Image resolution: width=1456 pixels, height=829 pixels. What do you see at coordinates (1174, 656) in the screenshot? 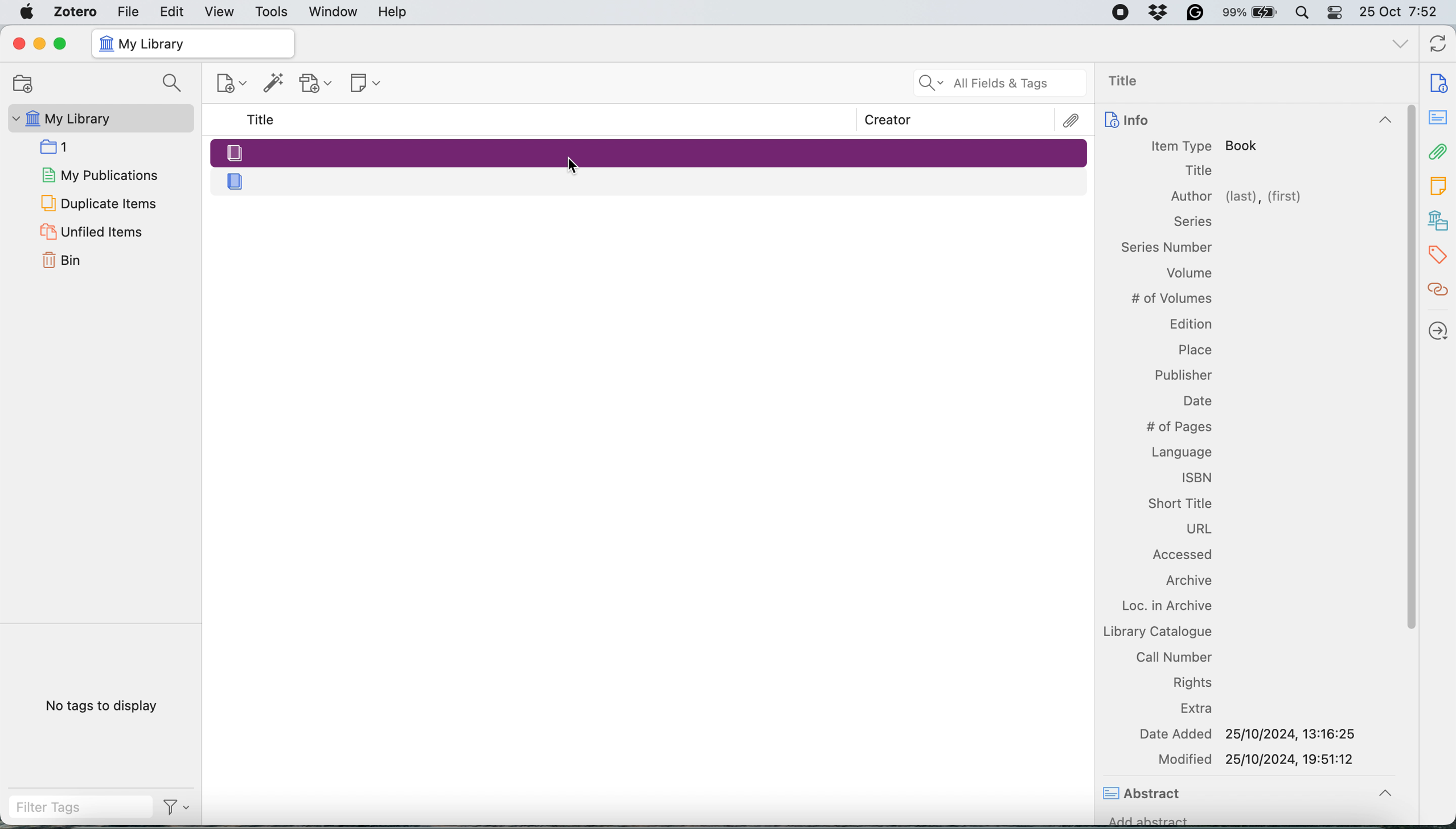
I see `Call Number ` at bounding box center [1174, 656].